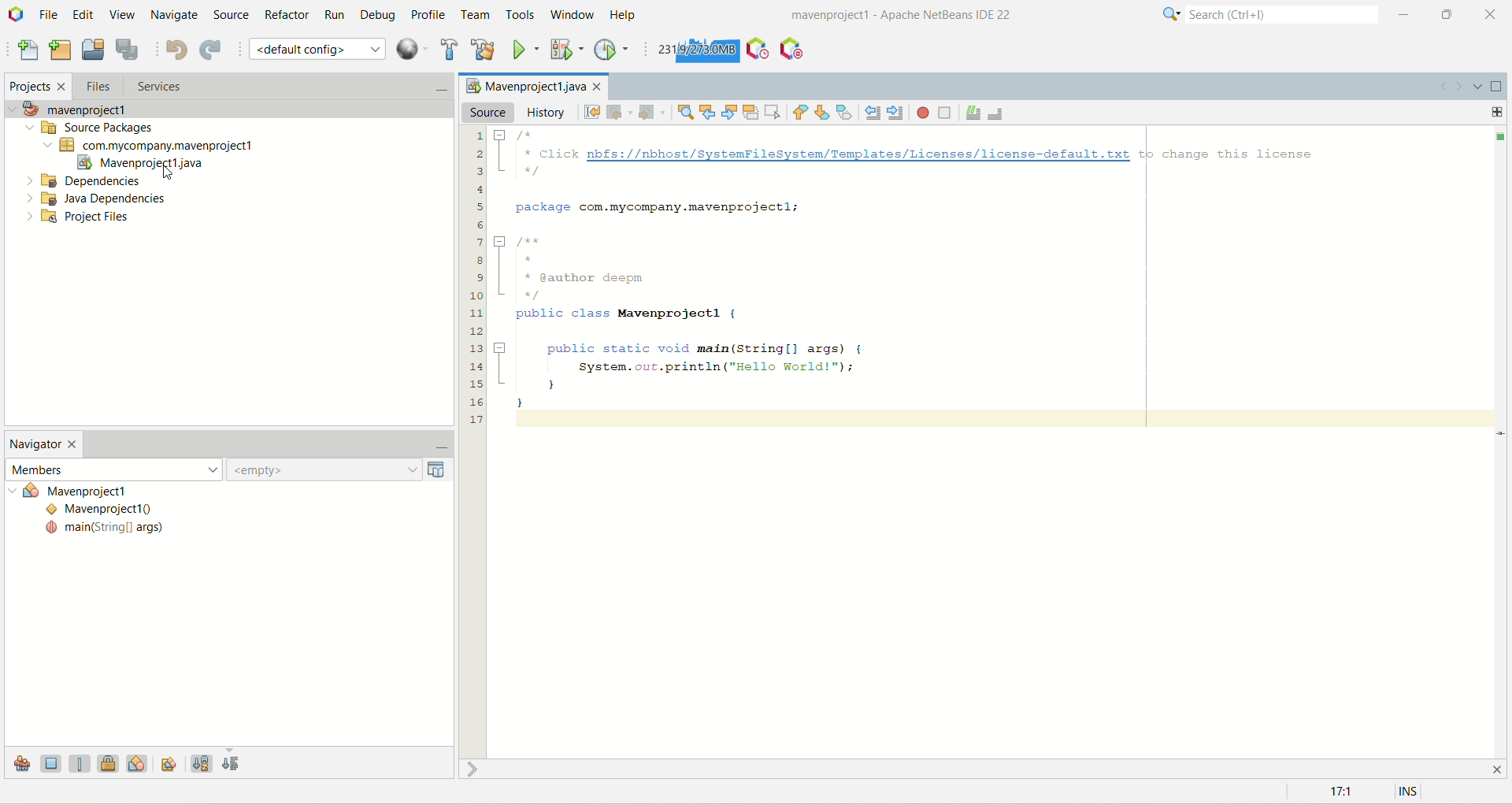 This screenshot has width=1512, height=805. What do you see at coordinates (617, 113) in the screenshot?
I see `back` at bounding box center [617, 113].